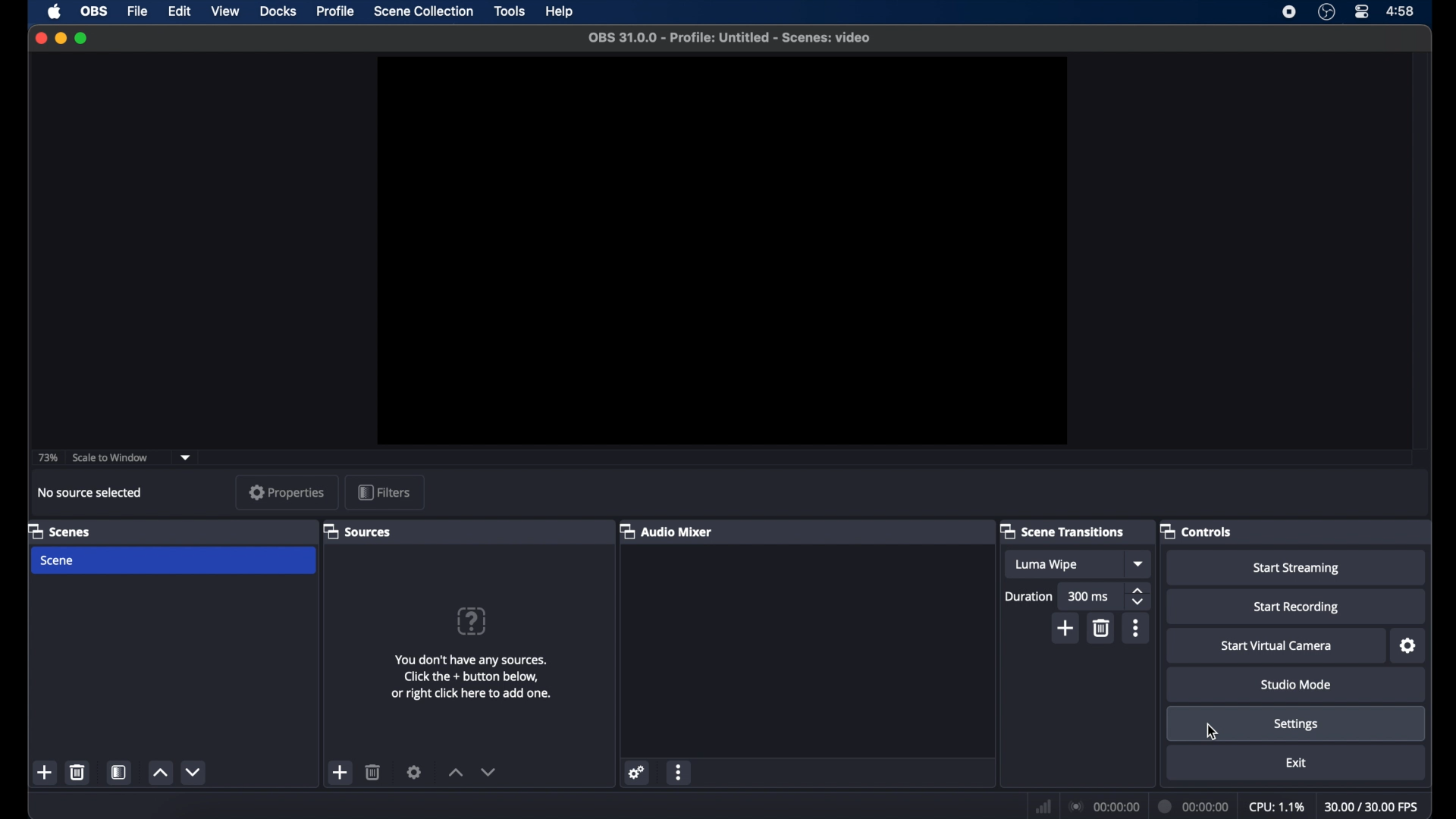 This screenshot has width=1456, height=819. I want to click on close, so click(40, 36).